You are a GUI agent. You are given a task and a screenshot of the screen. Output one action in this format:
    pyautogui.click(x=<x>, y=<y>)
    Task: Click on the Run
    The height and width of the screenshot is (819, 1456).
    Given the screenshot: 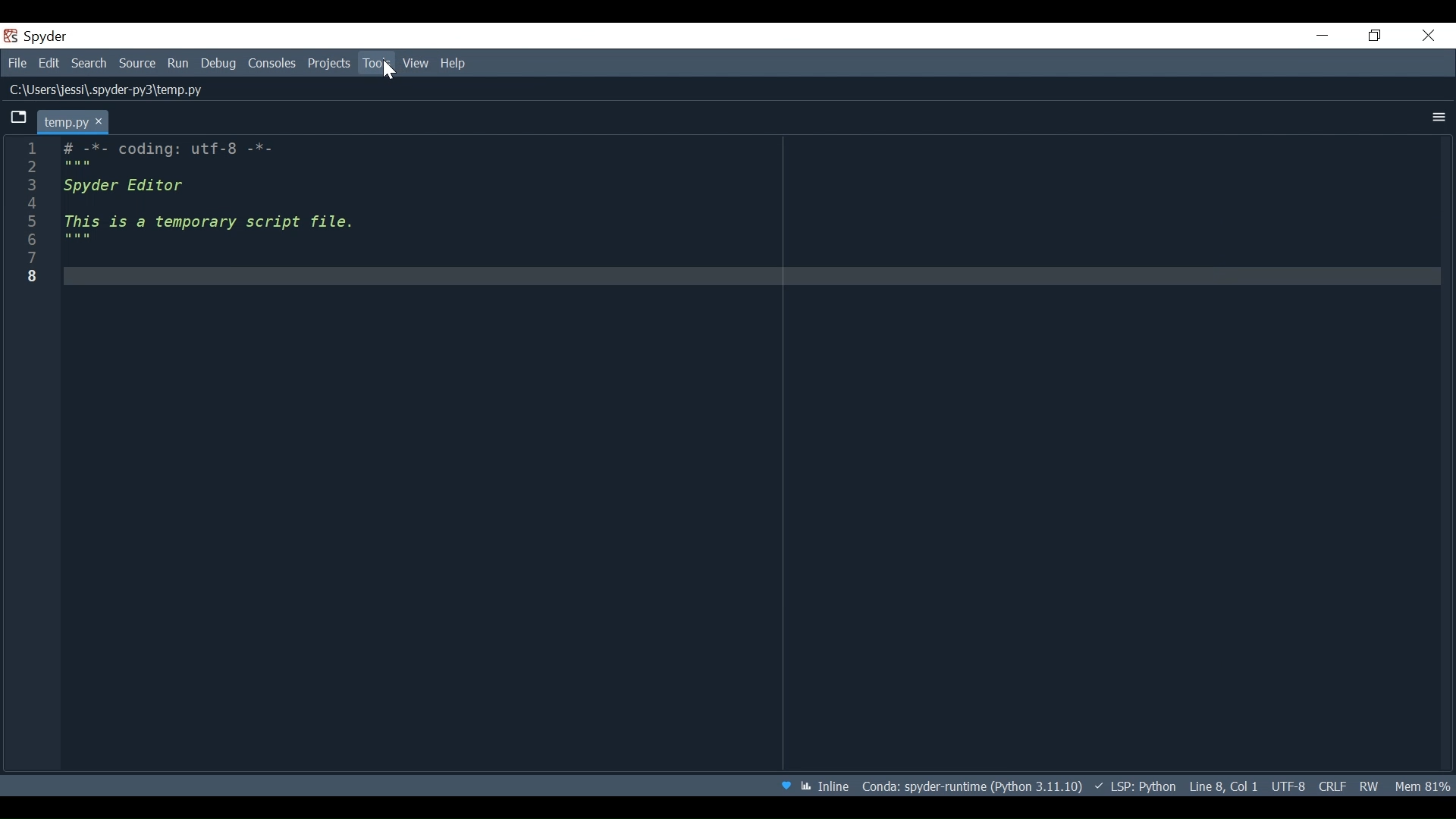 What is the action you would take?
    pyautogui.click(x=180, y=64)
    